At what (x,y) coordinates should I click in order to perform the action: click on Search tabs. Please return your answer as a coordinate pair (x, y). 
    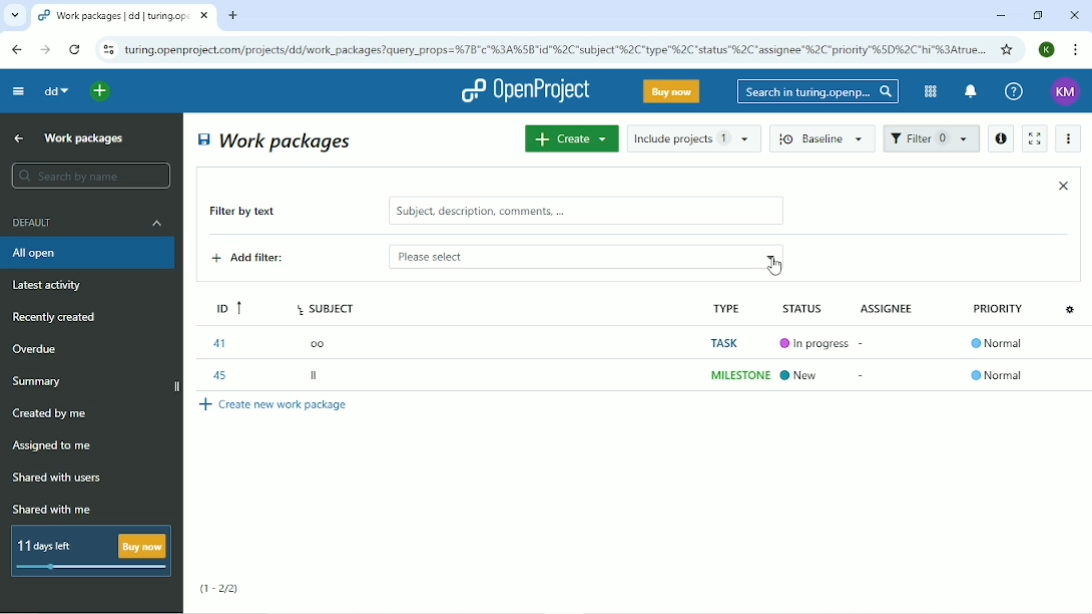
    Looking at the image, I should click on (15, 16).